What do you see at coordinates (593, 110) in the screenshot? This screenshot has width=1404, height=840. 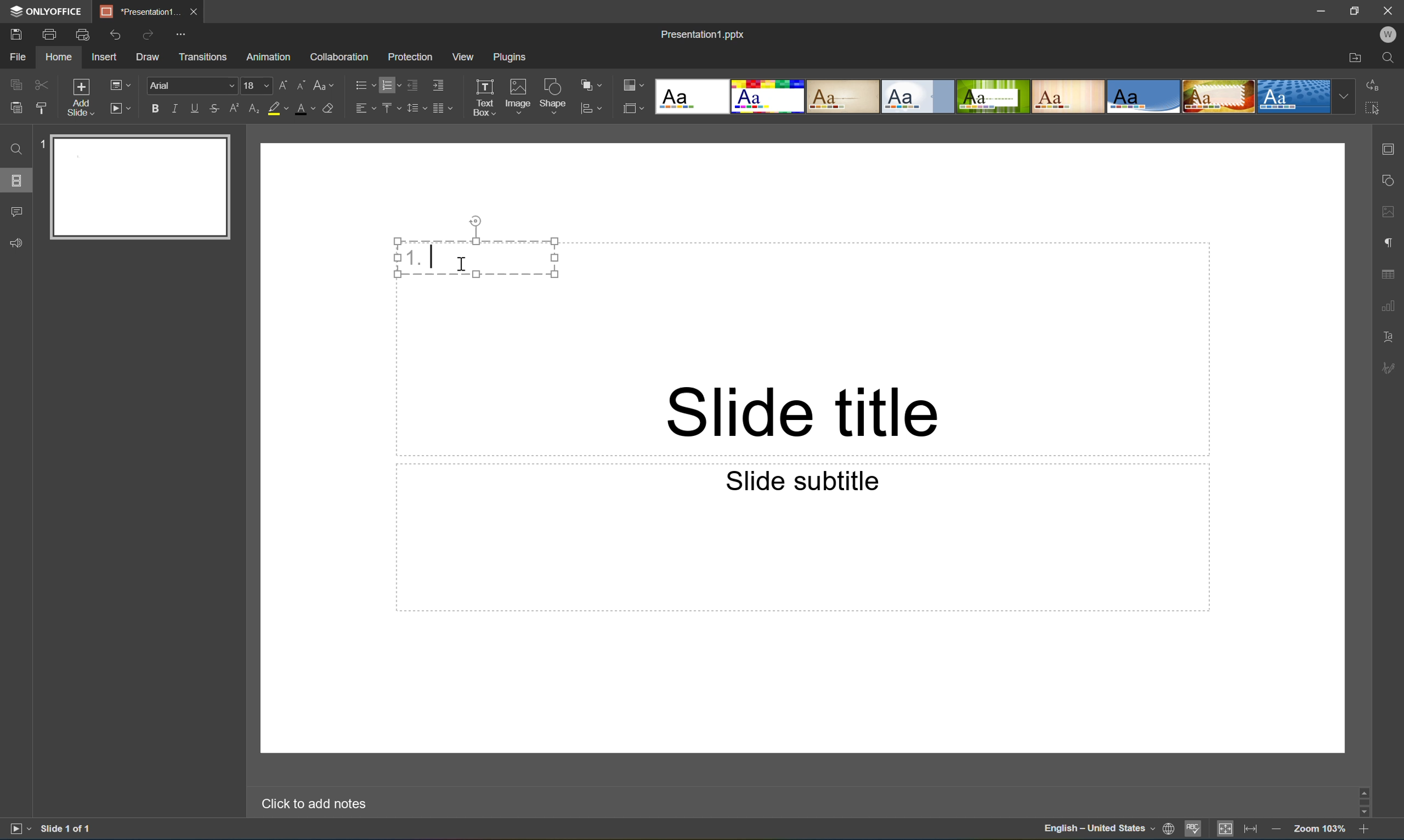 I see `Align shape` at bounding box center [593, 110].